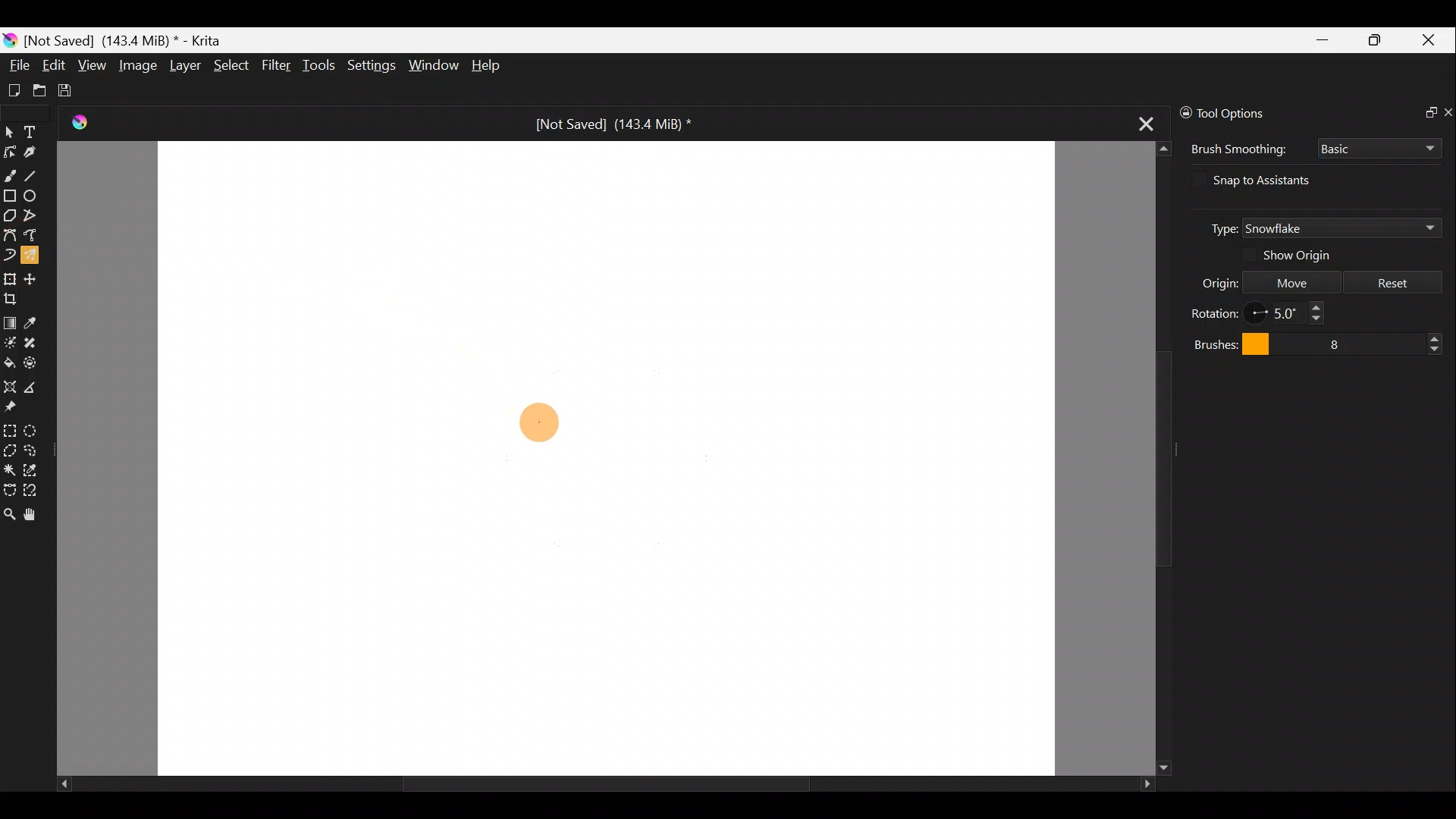 The height and width of the screenshot is (819, 1456). What do you see at coordinates (10, 42) in the screenshot?
I see `Krita logo` at bounding box center [10, 42].